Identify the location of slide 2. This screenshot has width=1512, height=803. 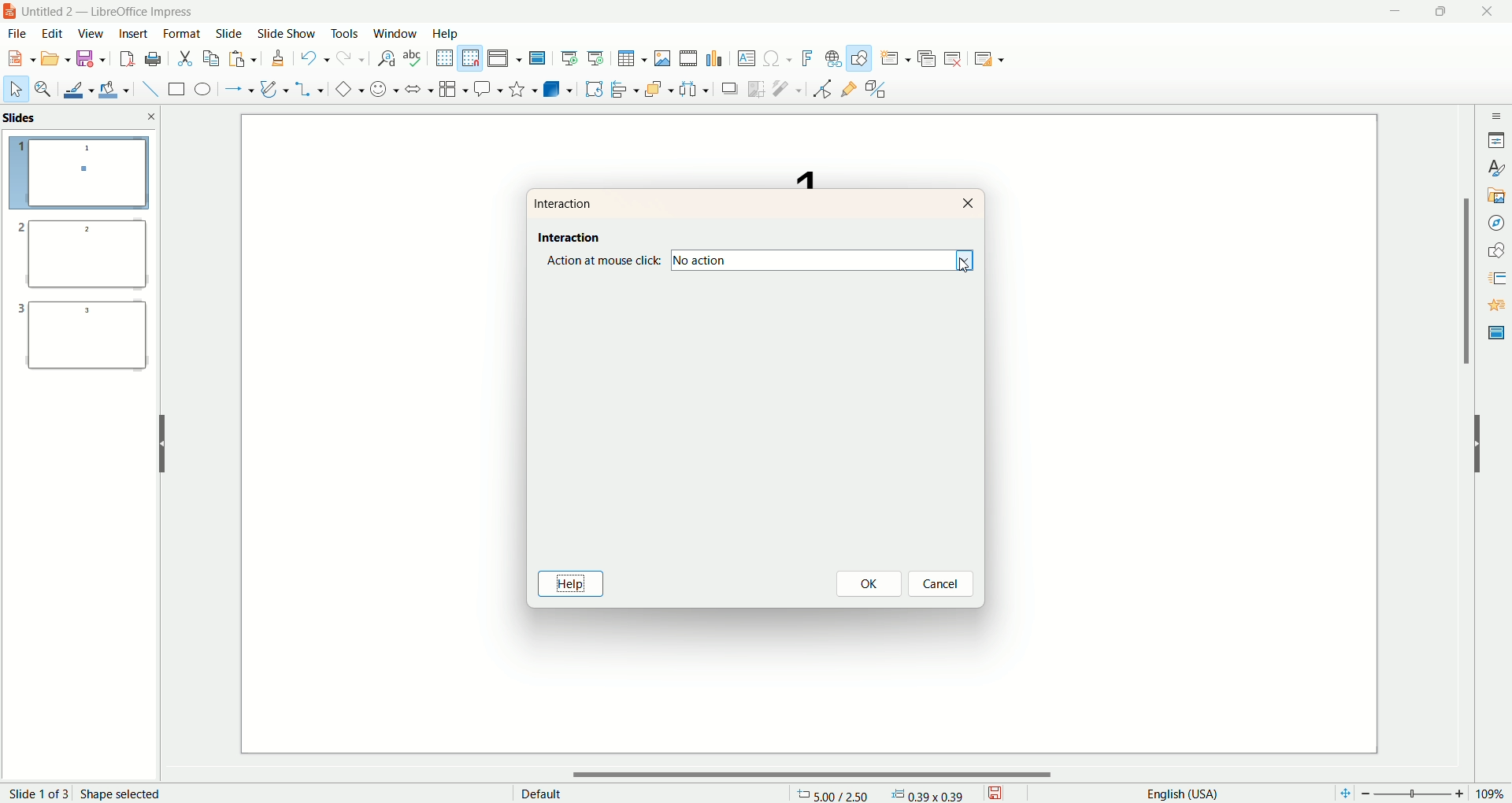
(79, 258).